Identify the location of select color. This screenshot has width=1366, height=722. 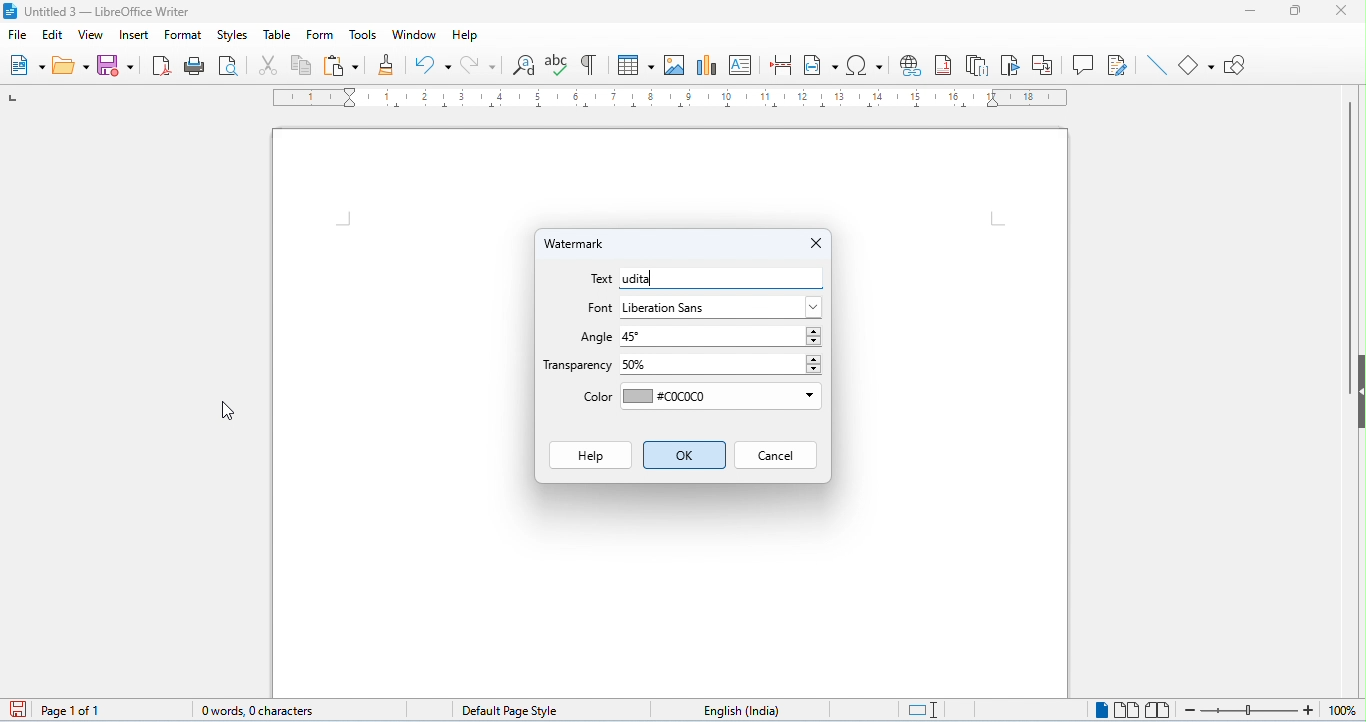
(721, 399).